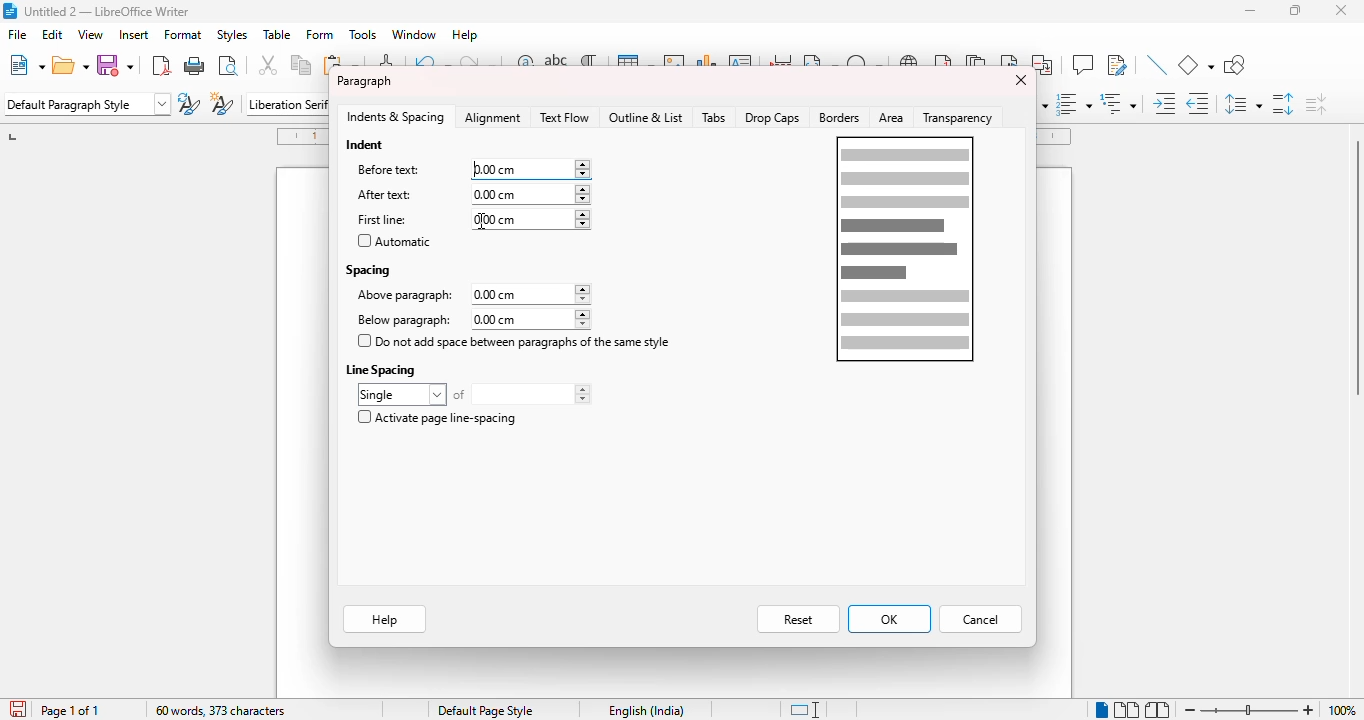 The width and height of the screenshot is (1364, 720). I want to click on show draw functions, so click(1234, 65).